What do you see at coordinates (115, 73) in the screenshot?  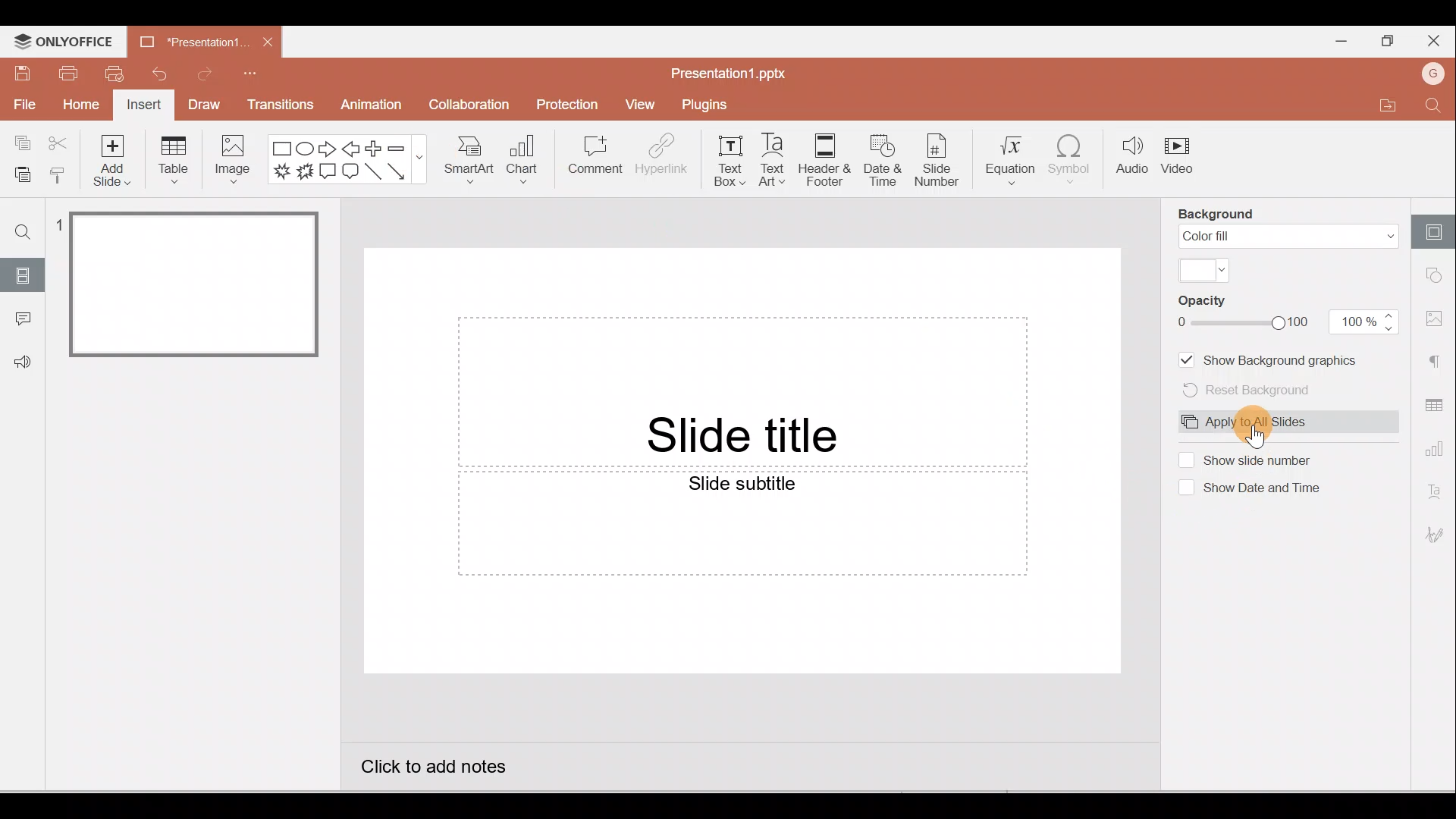 I see `Quick print` at bounding box center [115, 73].